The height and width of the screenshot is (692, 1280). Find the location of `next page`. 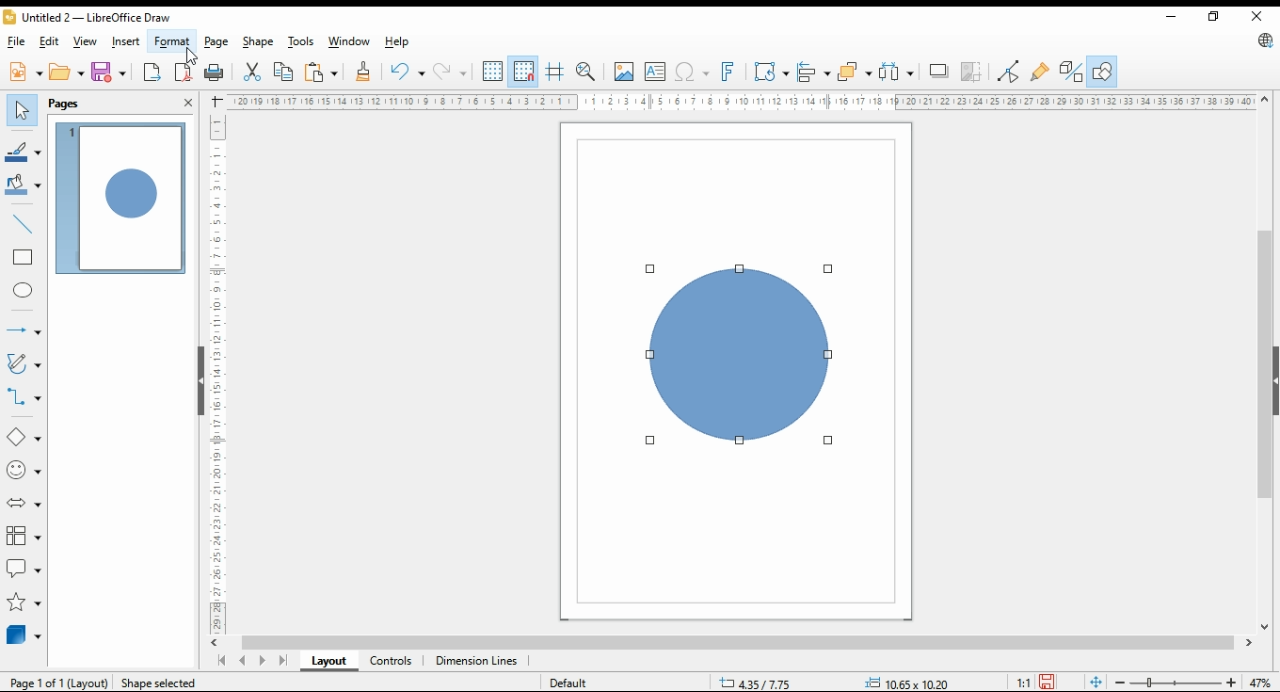

next page is located at coordinates (261, 660).